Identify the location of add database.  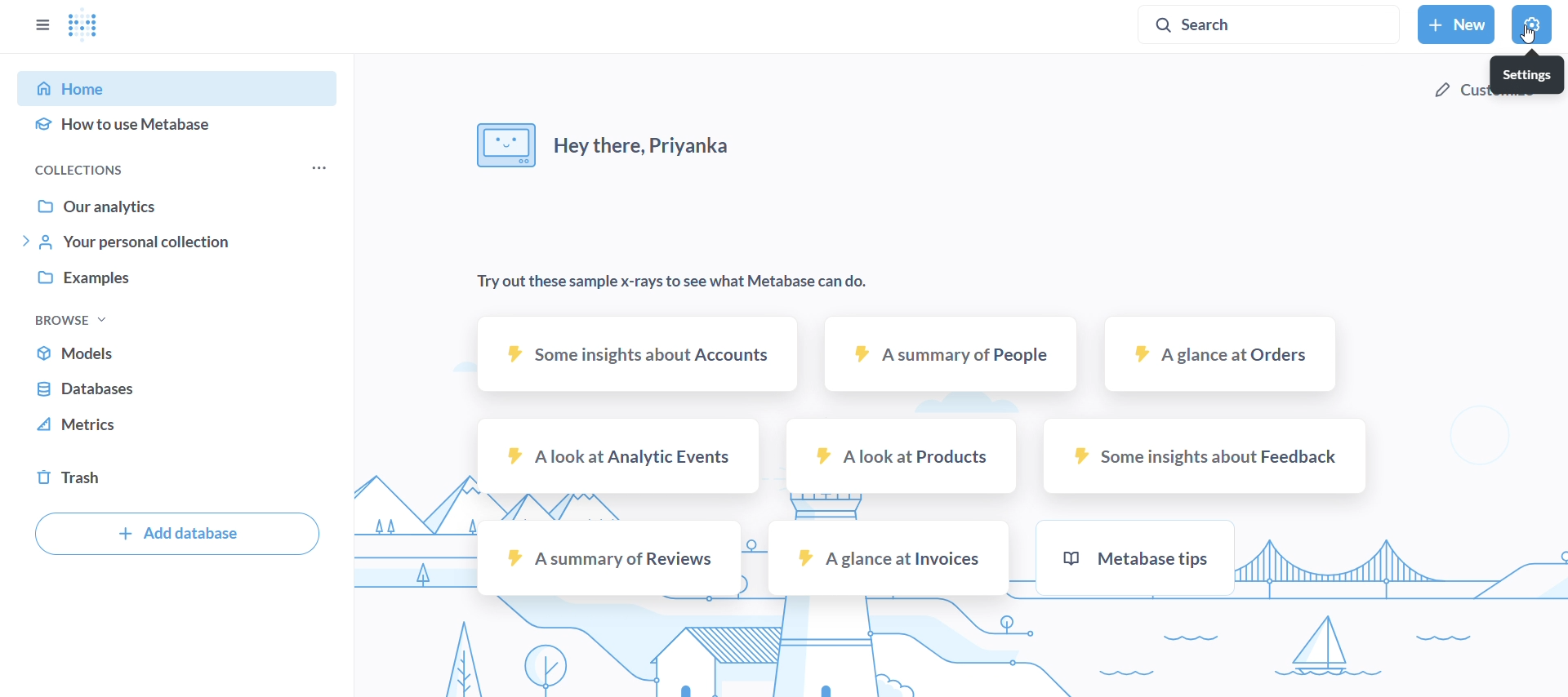
(176, 534).